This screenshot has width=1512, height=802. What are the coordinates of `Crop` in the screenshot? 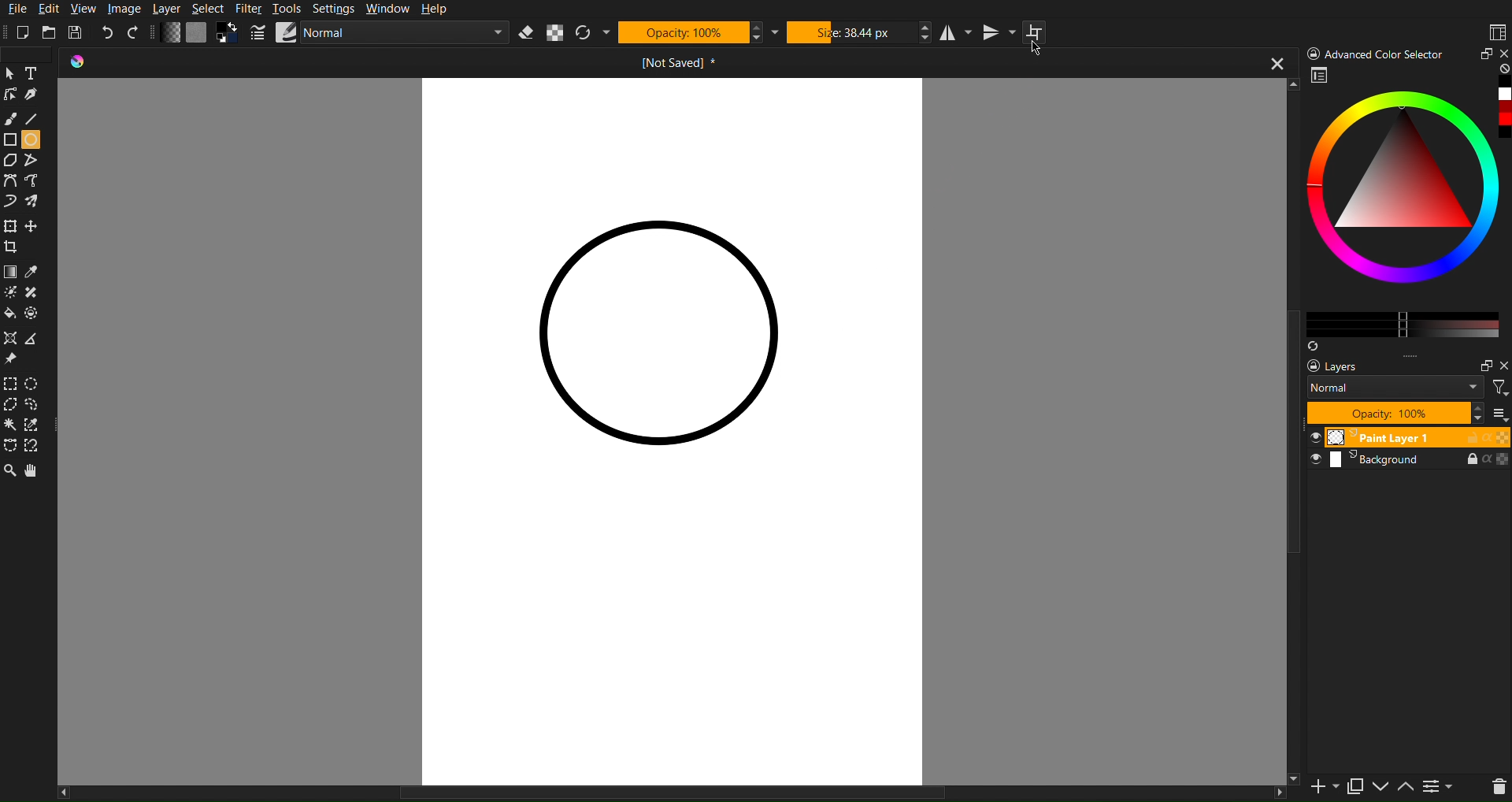 It's located at (9, 247).